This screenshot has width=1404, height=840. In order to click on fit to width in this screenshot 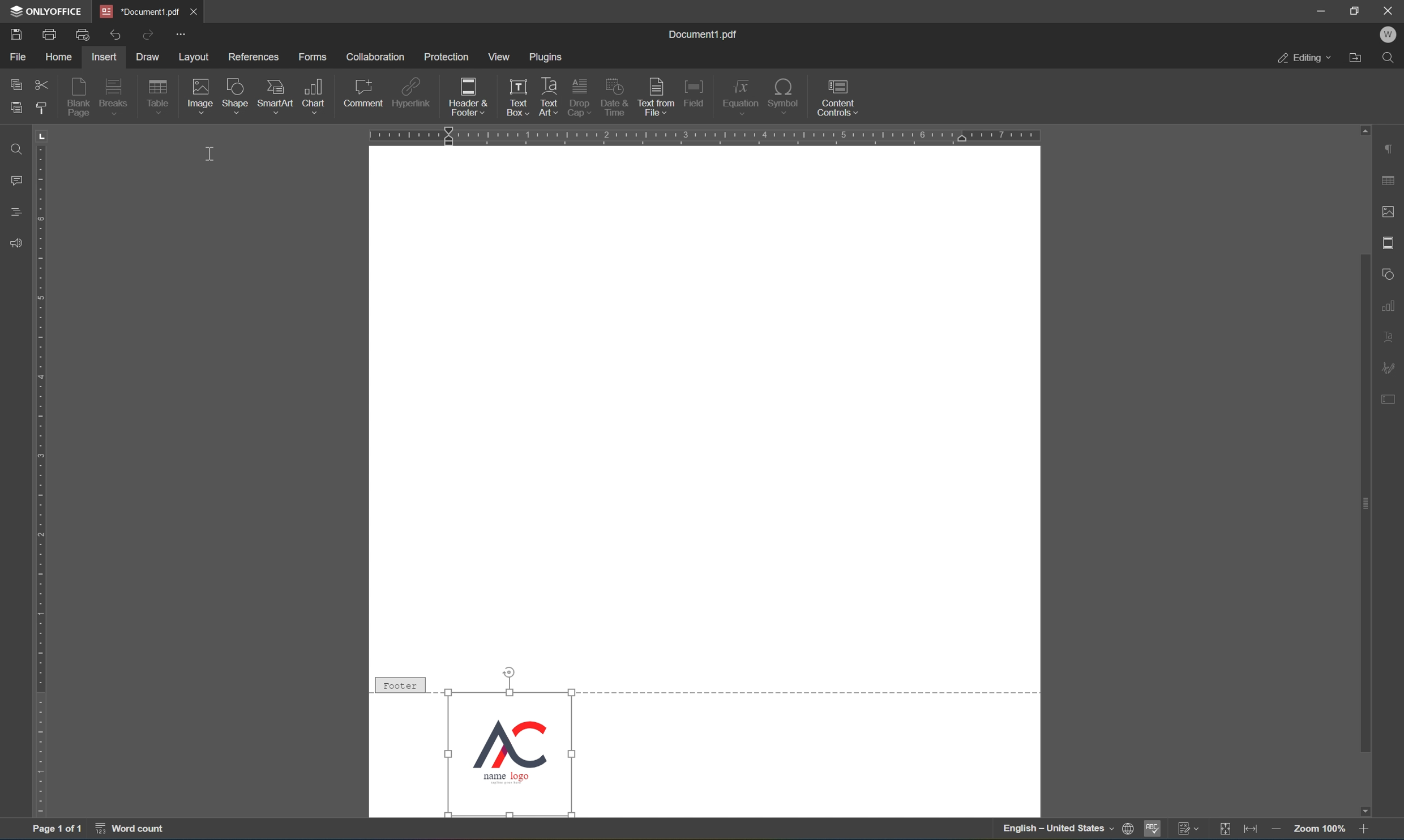, I will do `click(1251, 830)`.